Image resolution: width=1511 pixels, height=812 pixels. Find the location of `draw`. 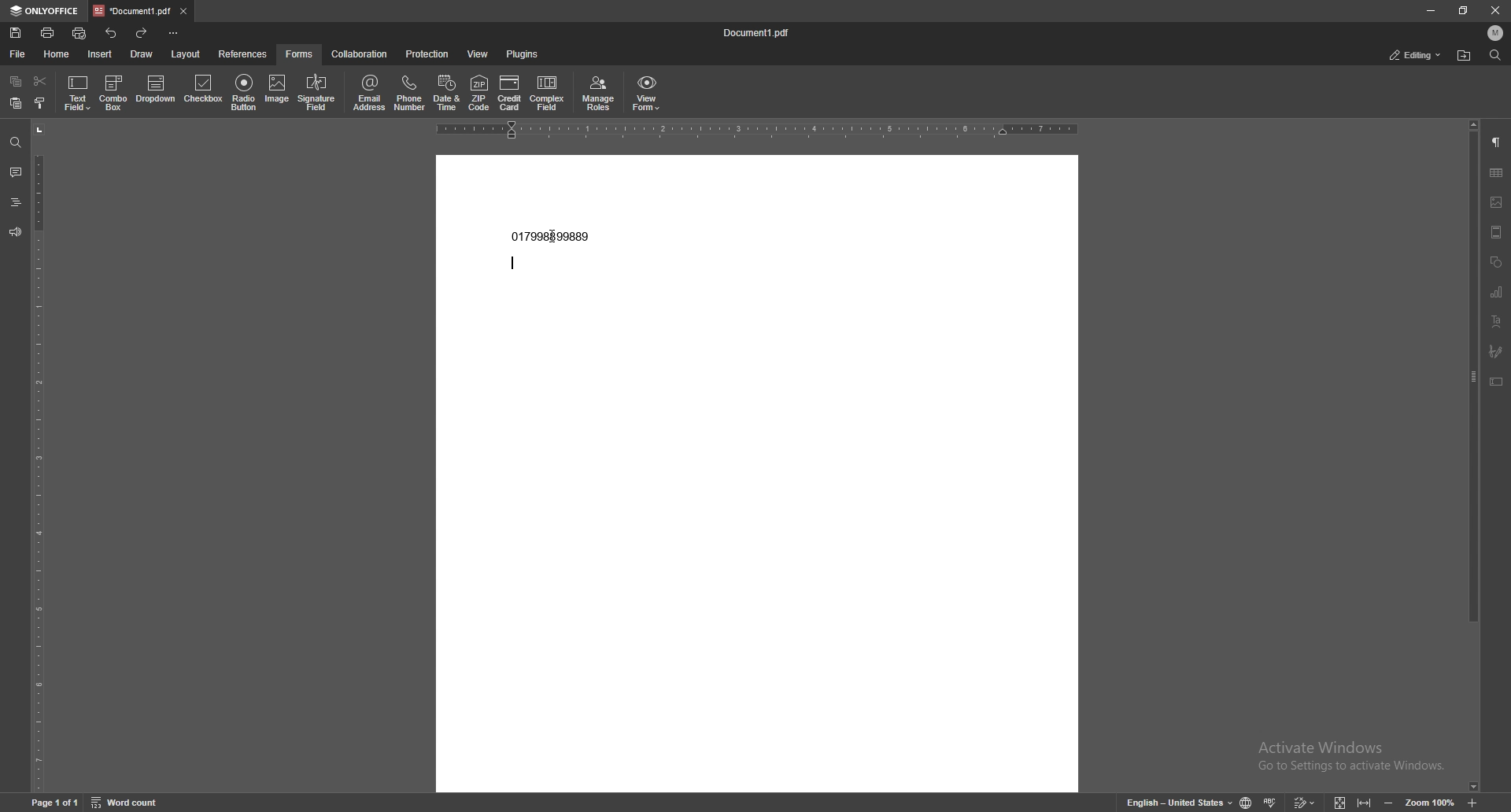

draw is located at coordinates (142, 54).